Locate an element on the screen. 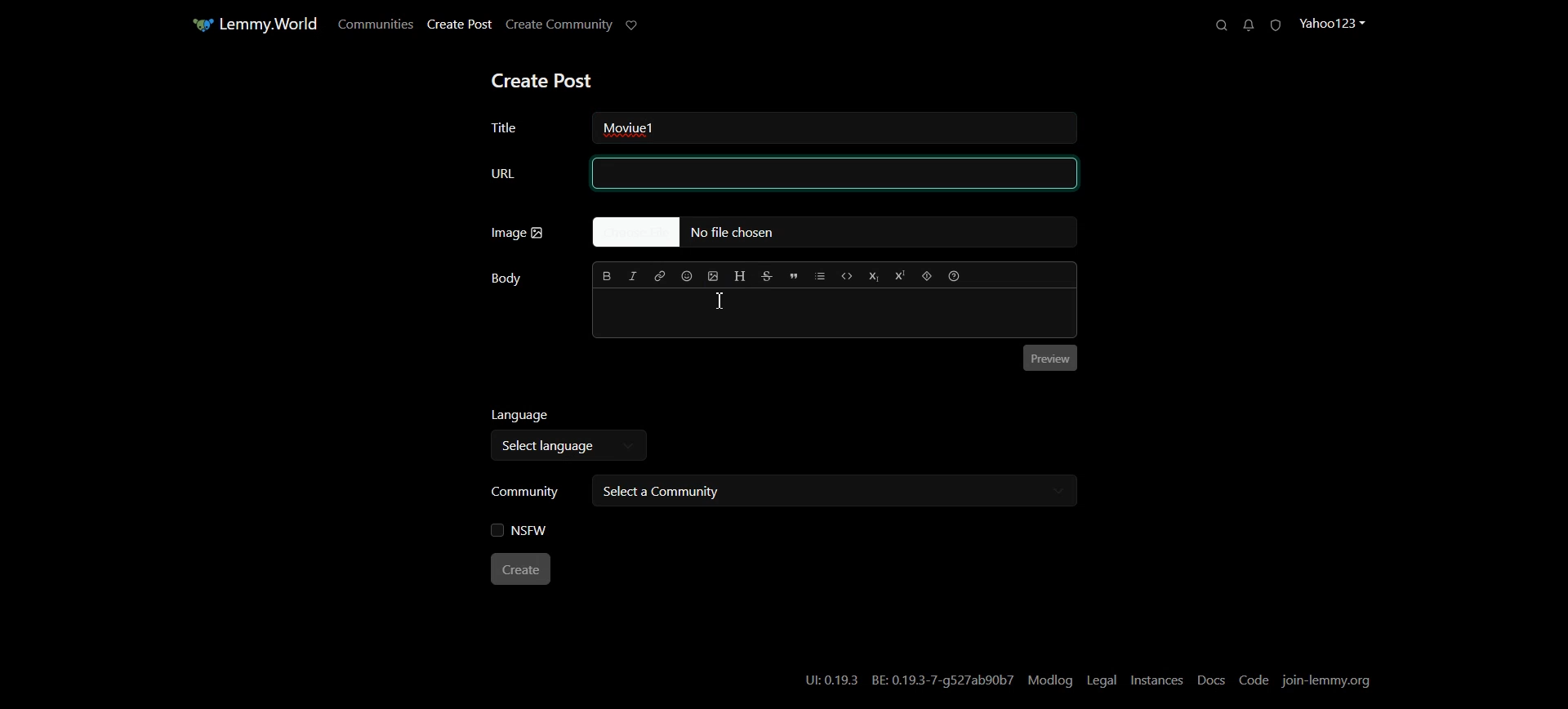 This screenshot has width=1568, height=709. Unread Messages is located at coordinates (1248, 25).